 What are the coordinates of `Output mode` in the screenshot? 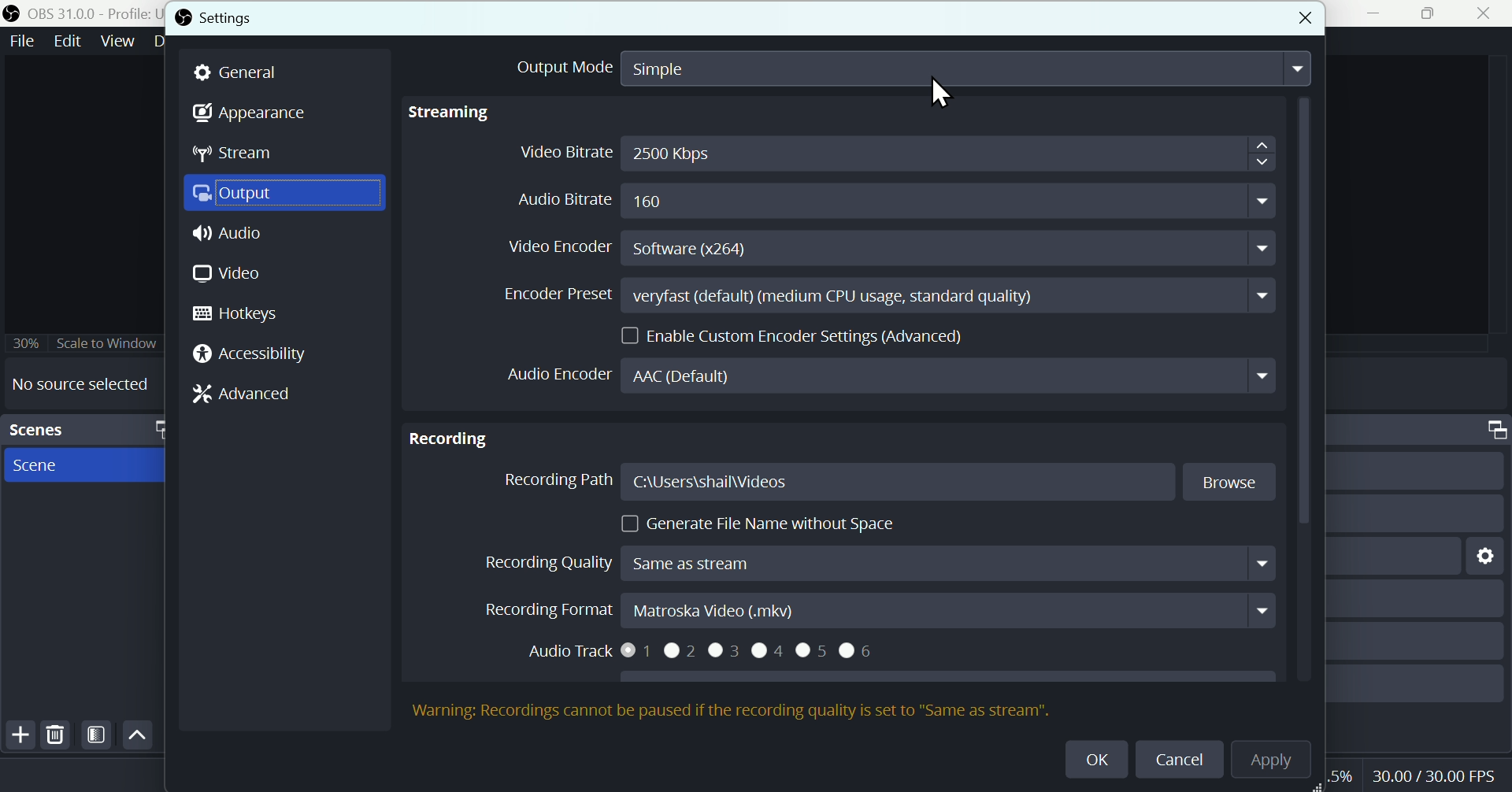 It's located at (905, 74).